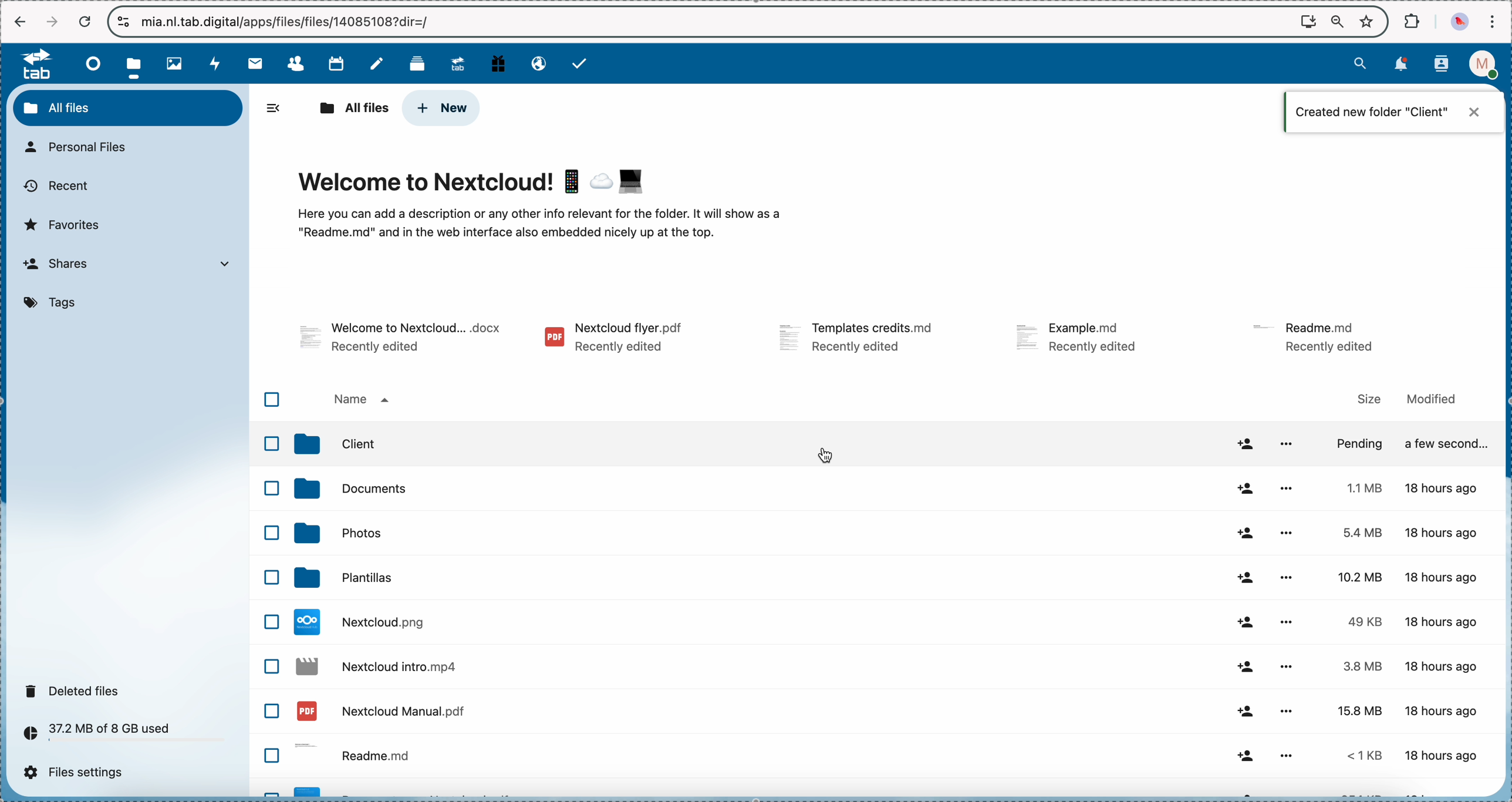 The width and height of the screenshot is (1512, 802). I want to click on readme file, so click(752, 713).